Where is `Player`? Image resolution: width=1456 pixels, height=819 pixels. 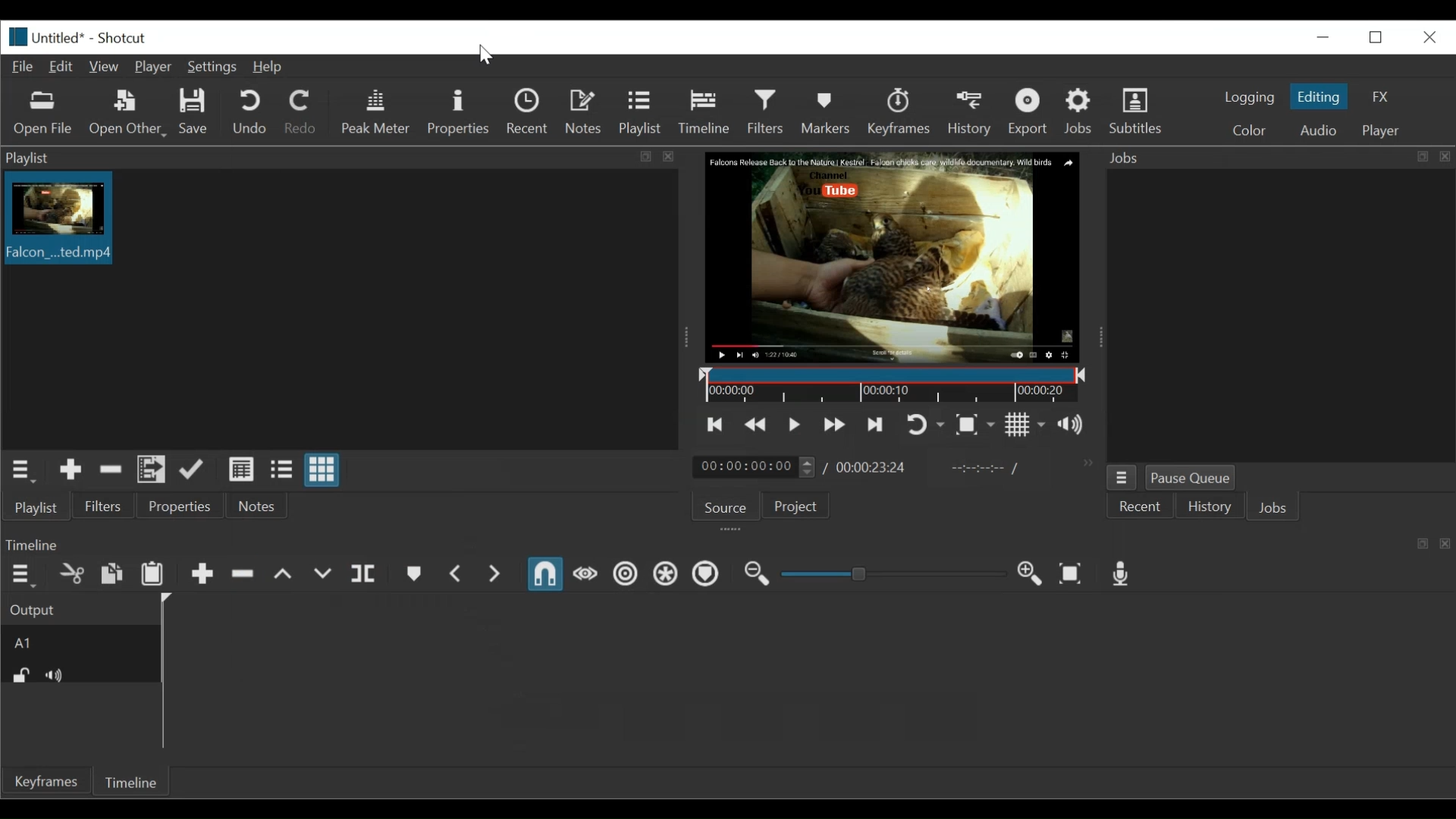 Player is located at coordinates (153, 69).